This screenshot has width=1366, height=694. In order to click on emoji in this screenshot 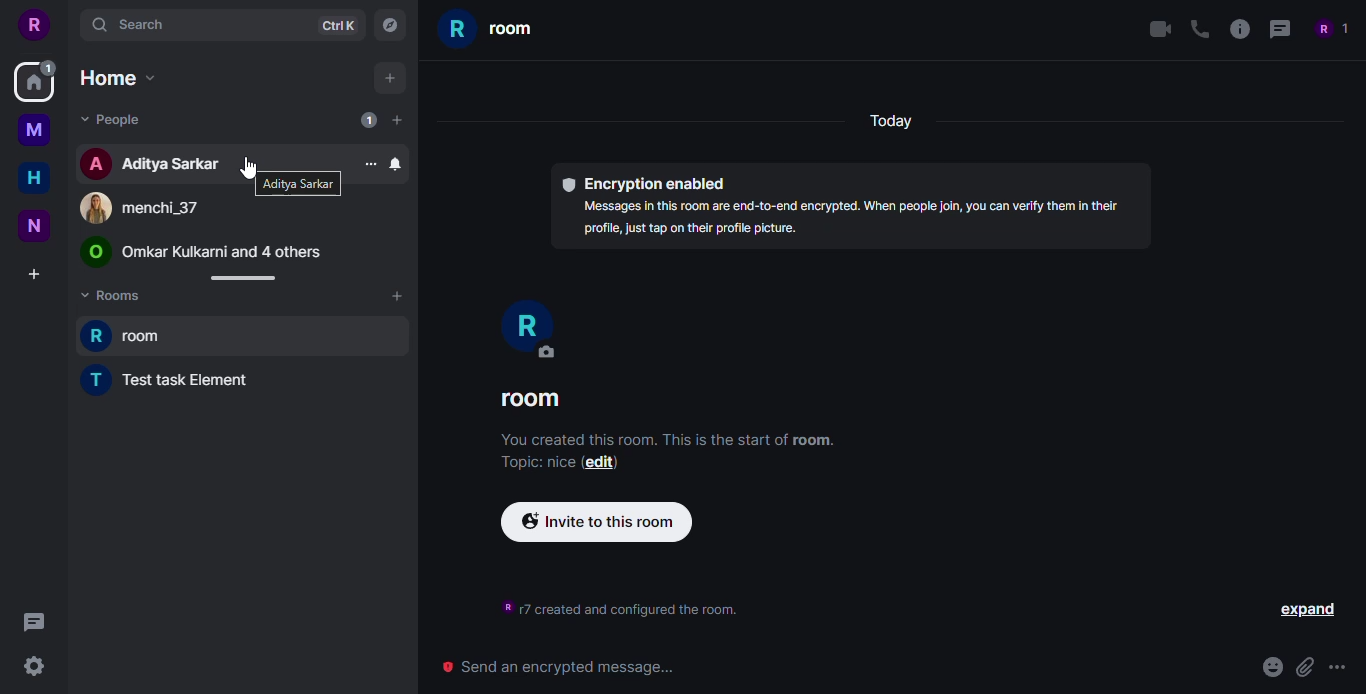, I will do `click(1272, 667)`.